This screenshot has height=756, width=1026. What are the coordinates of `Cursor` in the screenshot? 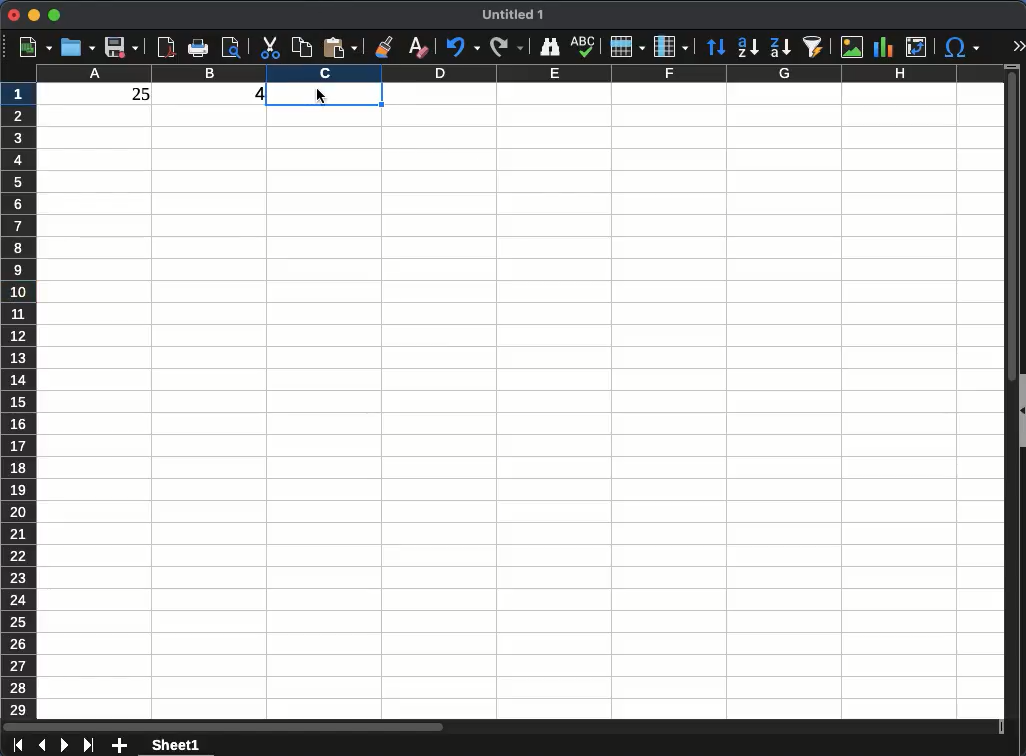 It's located at (325, 102).